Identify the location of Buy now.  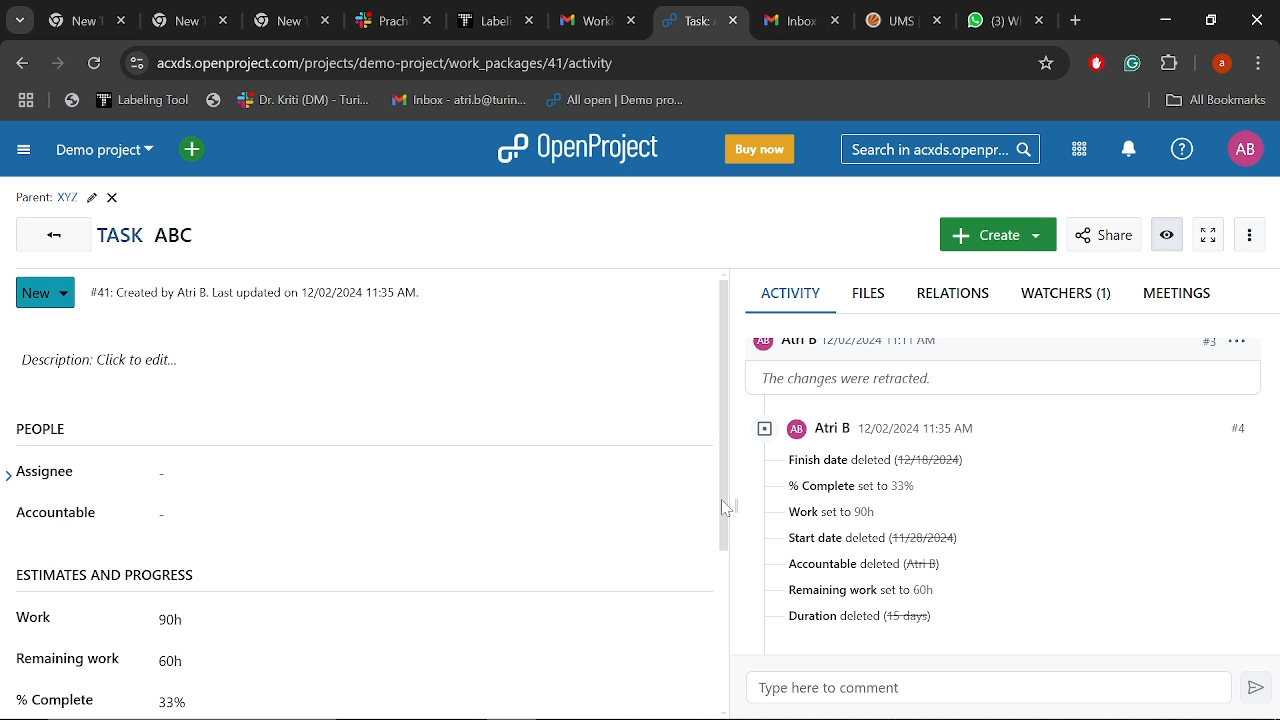
(762, 150).